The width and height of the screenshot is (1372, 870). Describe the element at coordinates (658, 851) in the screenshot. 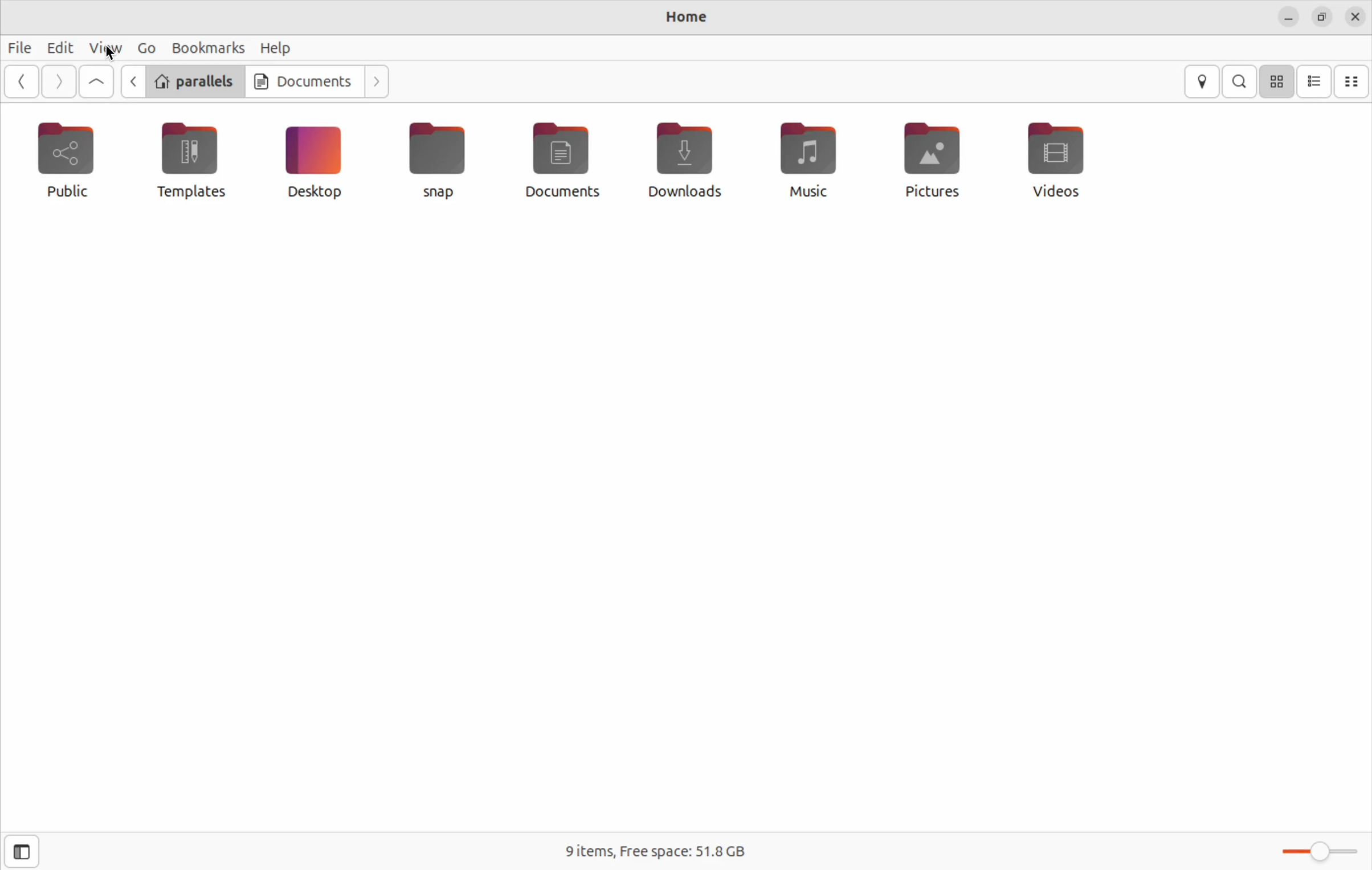

I see `free space` at that location.